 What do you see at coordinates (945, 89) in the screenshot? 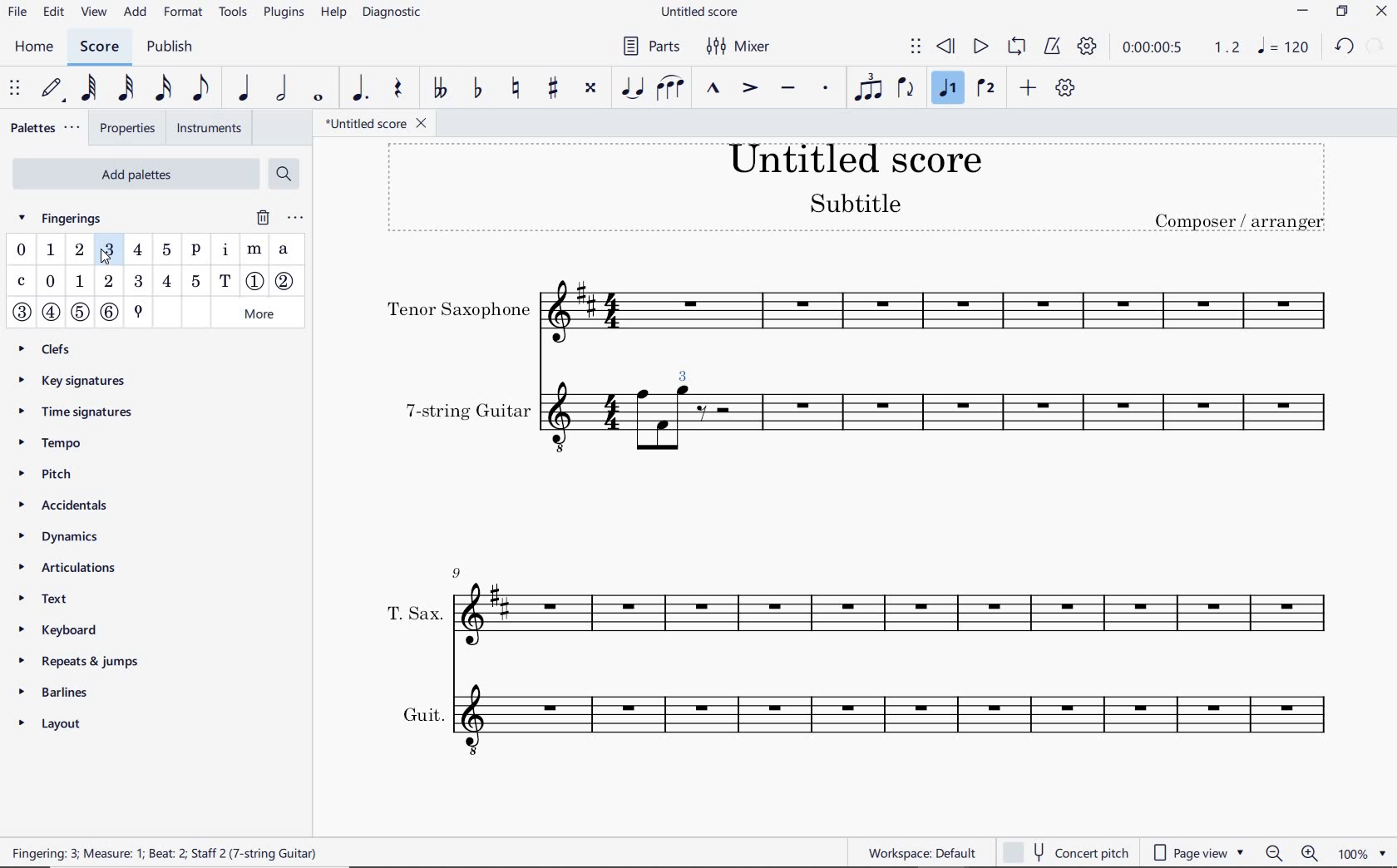
I see `VOICE 1` at bounding box center [945, 89].